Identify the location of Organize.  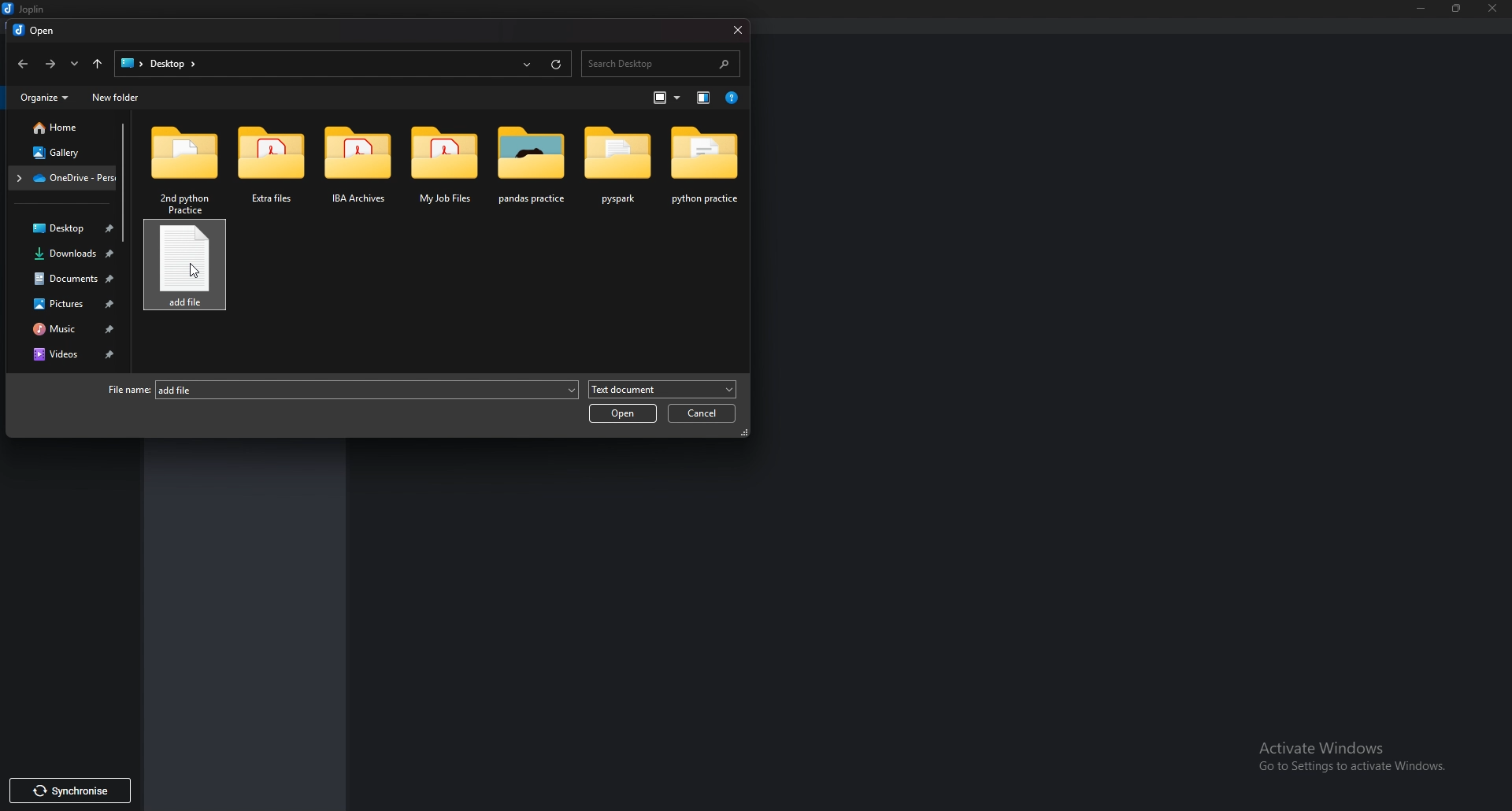
(45, 98).